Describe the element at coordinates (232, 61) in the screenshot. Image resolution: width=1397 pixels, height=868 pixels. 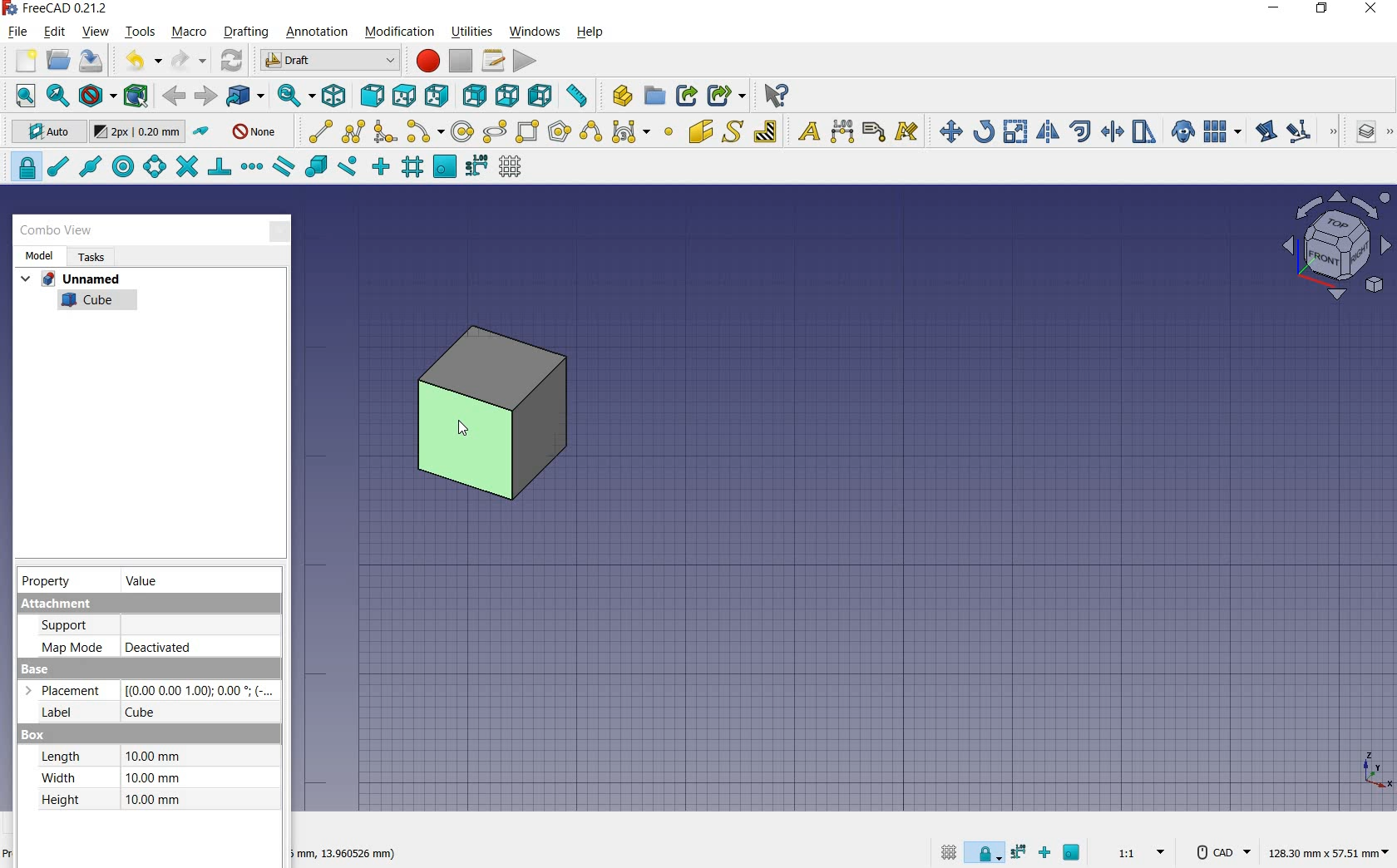
I see `refresh` at that location.